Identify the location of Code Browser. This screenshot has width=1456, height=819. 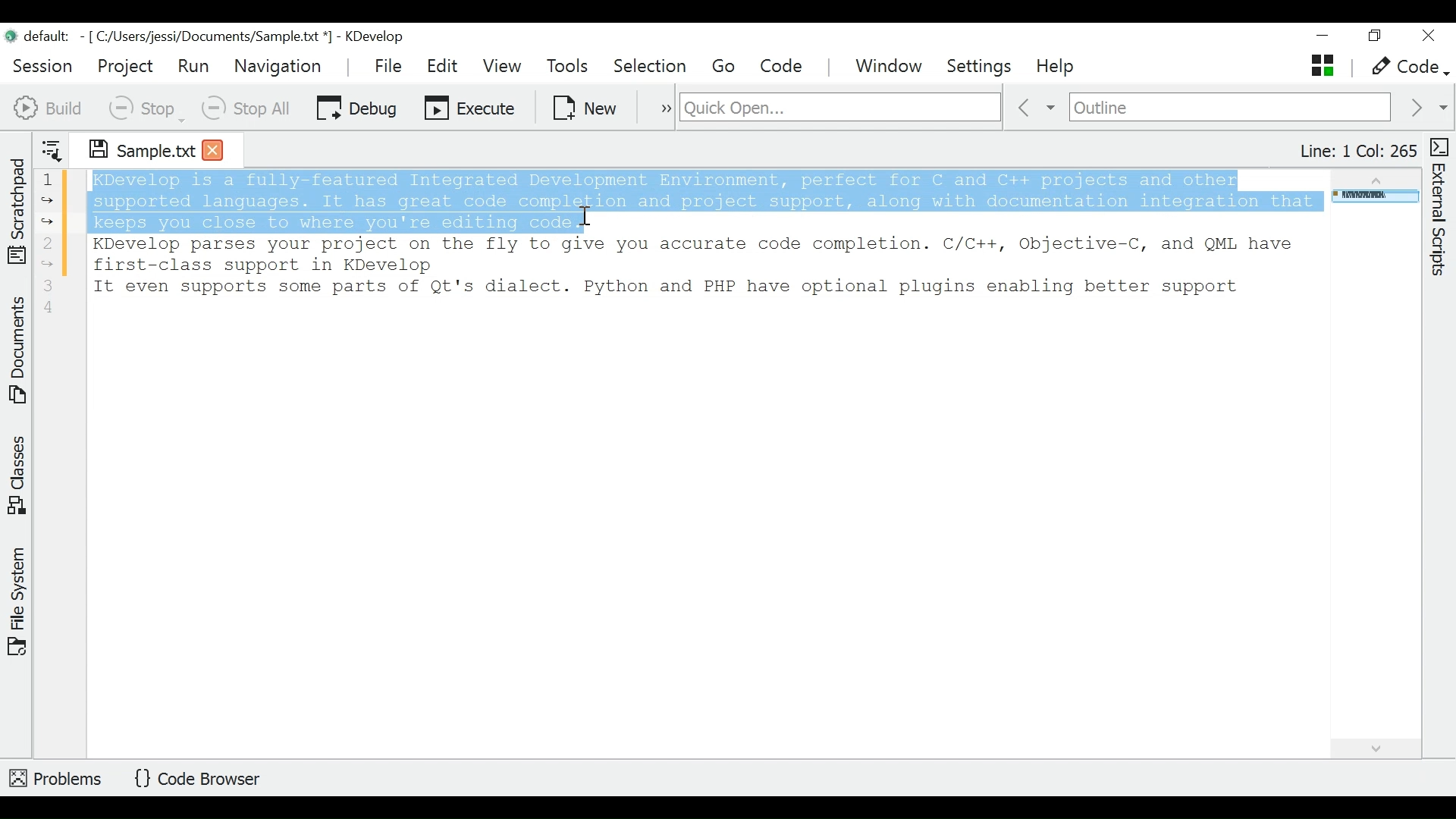
(202, 780).